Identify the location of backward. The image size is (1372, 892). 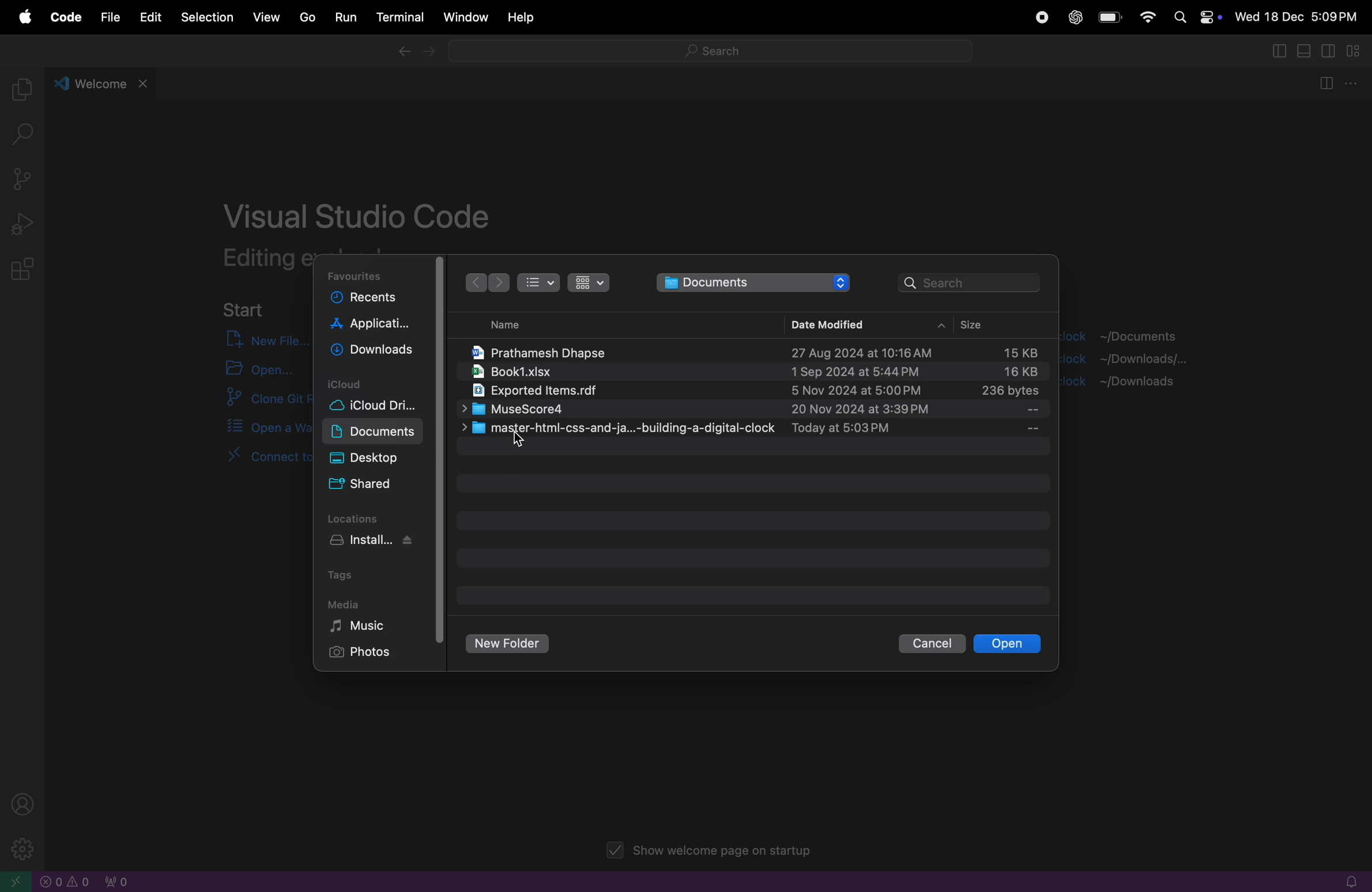
(402, 53).